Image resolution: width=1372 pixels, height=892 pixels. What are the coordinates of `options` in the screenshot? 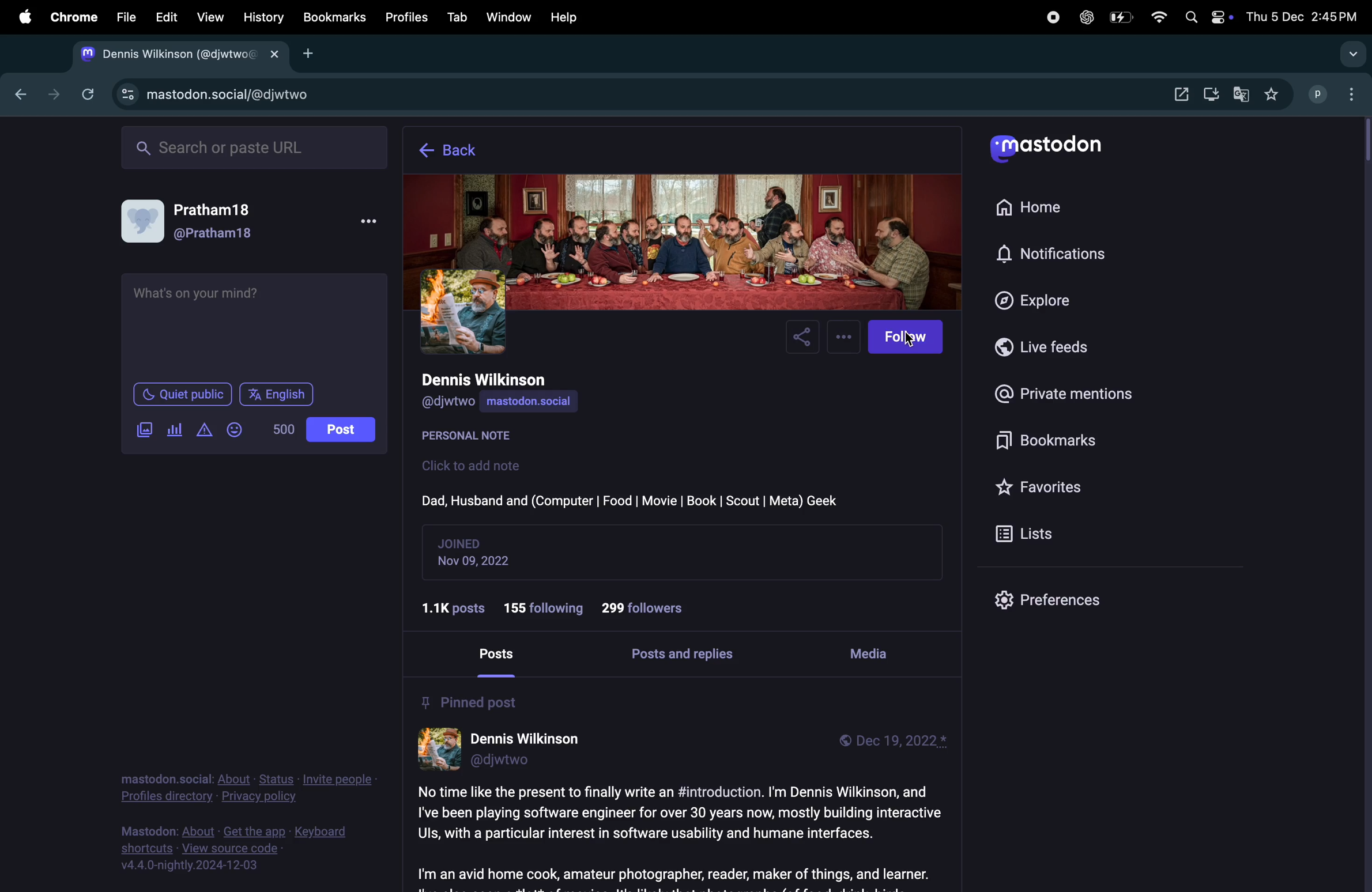 It's located at (368, 220).